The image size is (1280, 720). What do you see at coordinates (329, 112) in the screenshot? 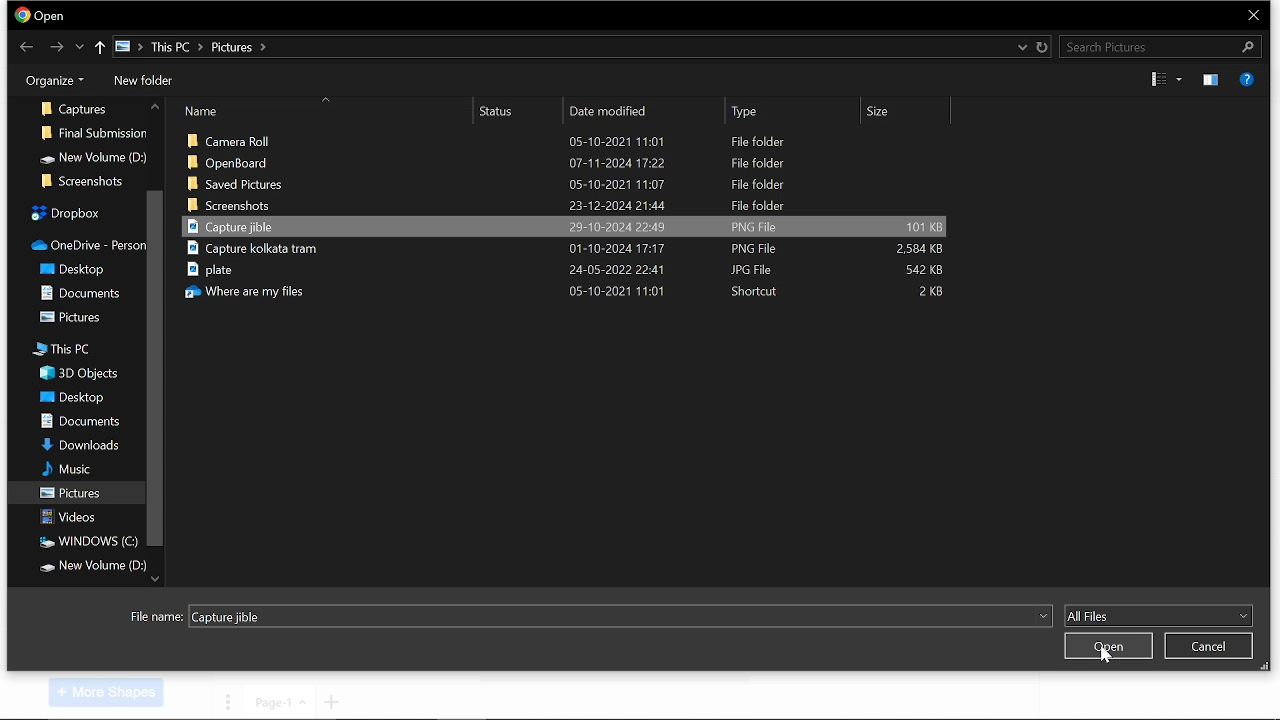
I see `name` at bounding box center [329, 112].